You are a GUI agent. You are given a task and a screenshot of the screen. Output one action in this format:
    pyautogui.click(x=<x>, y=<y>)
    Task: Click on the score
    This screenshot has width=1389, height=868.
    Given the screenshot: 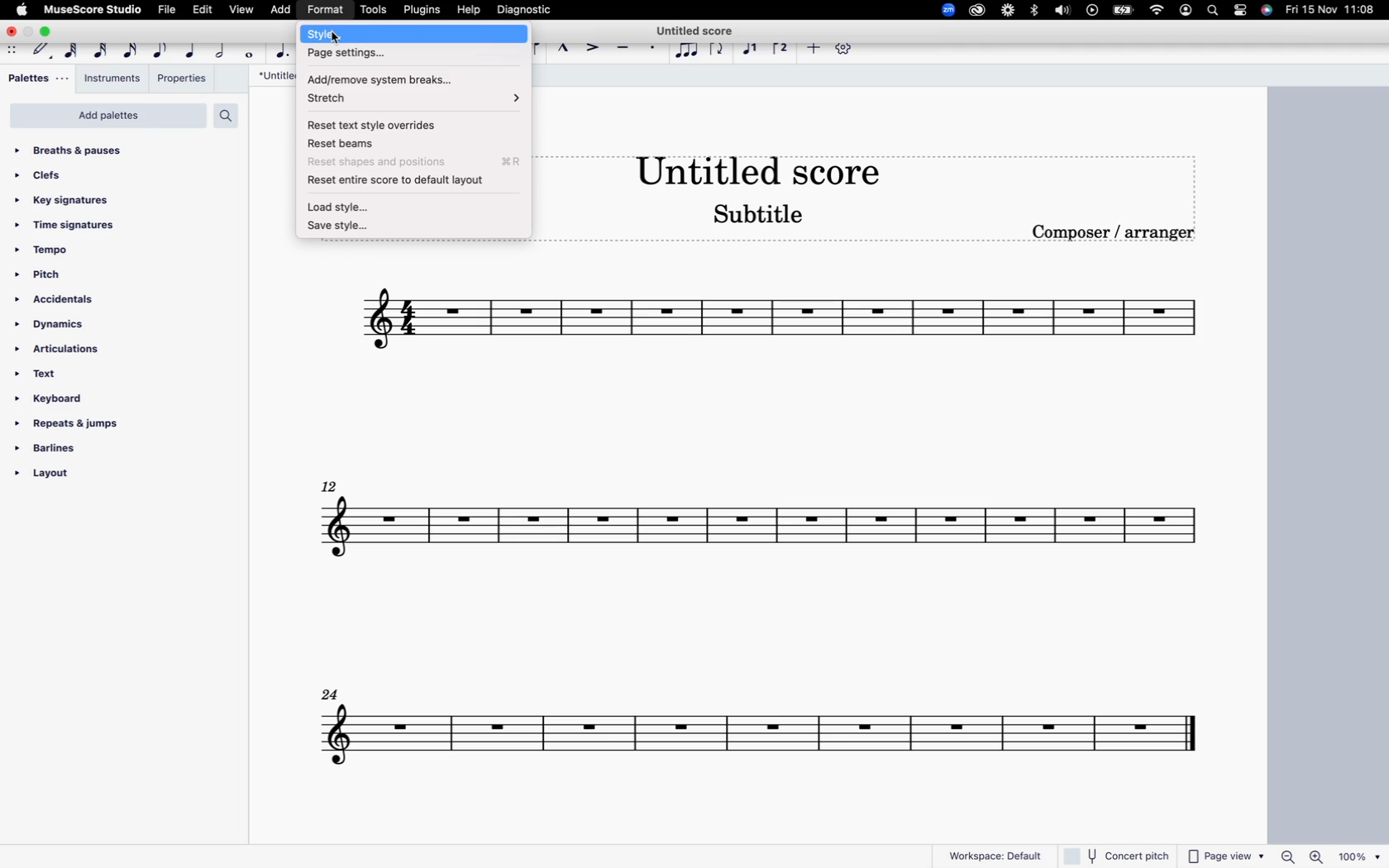 What is the action you would take?
    pyautogui.click(x=738, y=726)
    